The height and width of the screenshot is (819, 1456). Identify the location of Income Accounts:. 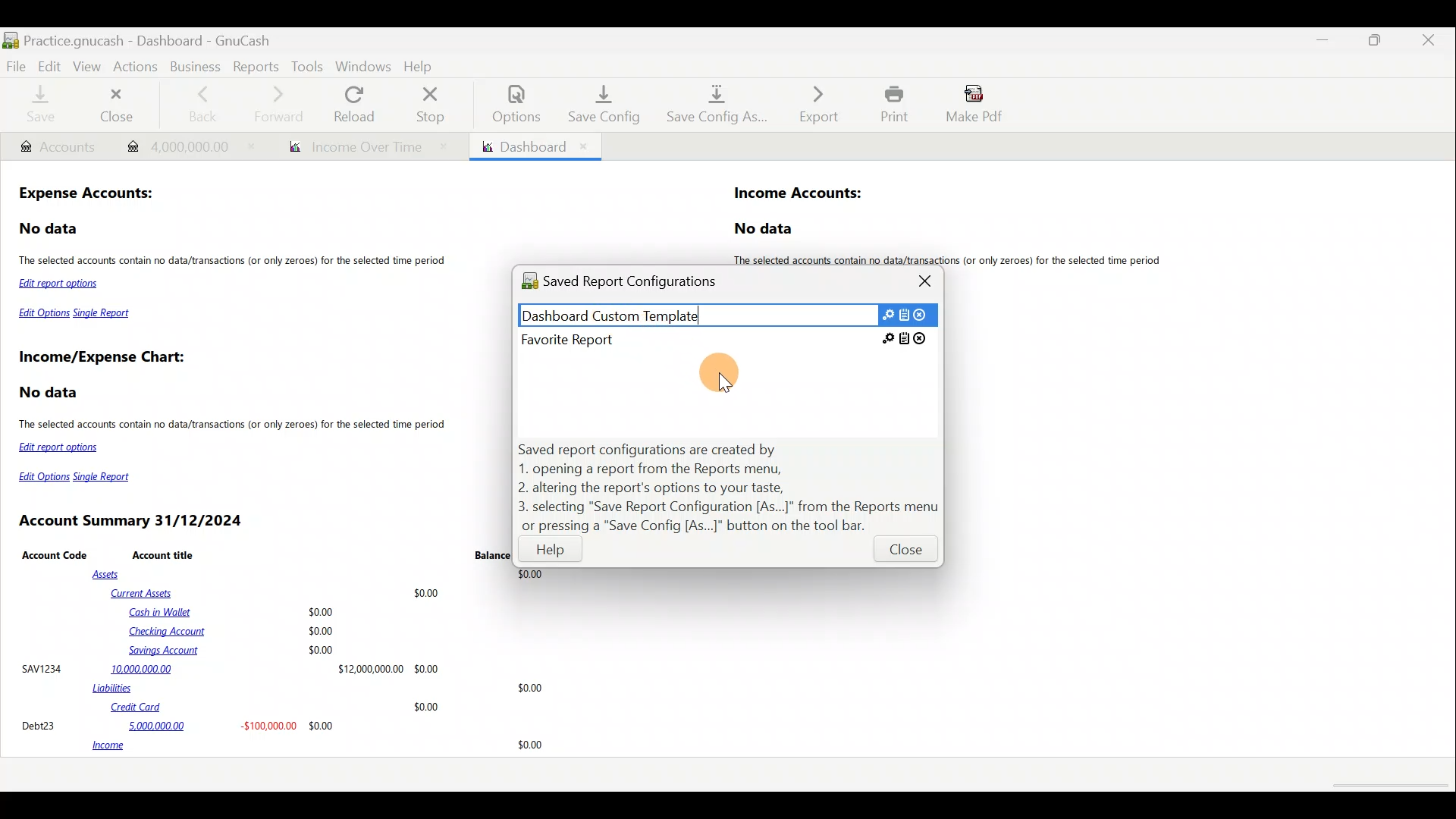
(799, 194).